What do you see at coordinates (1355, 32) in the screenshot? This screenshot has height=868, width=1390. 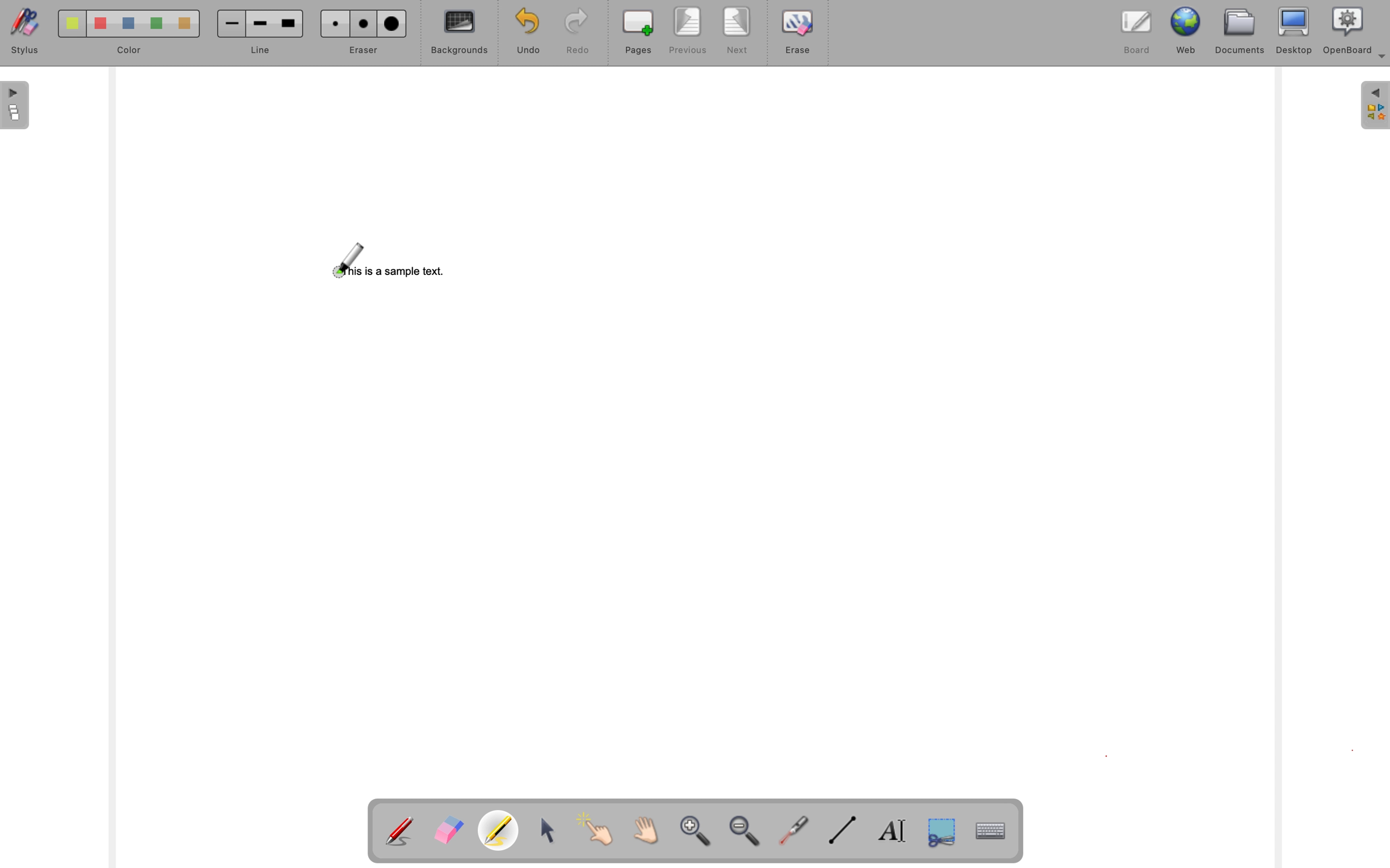 I see `OpenBoard` at bounding box center [1355, 32].